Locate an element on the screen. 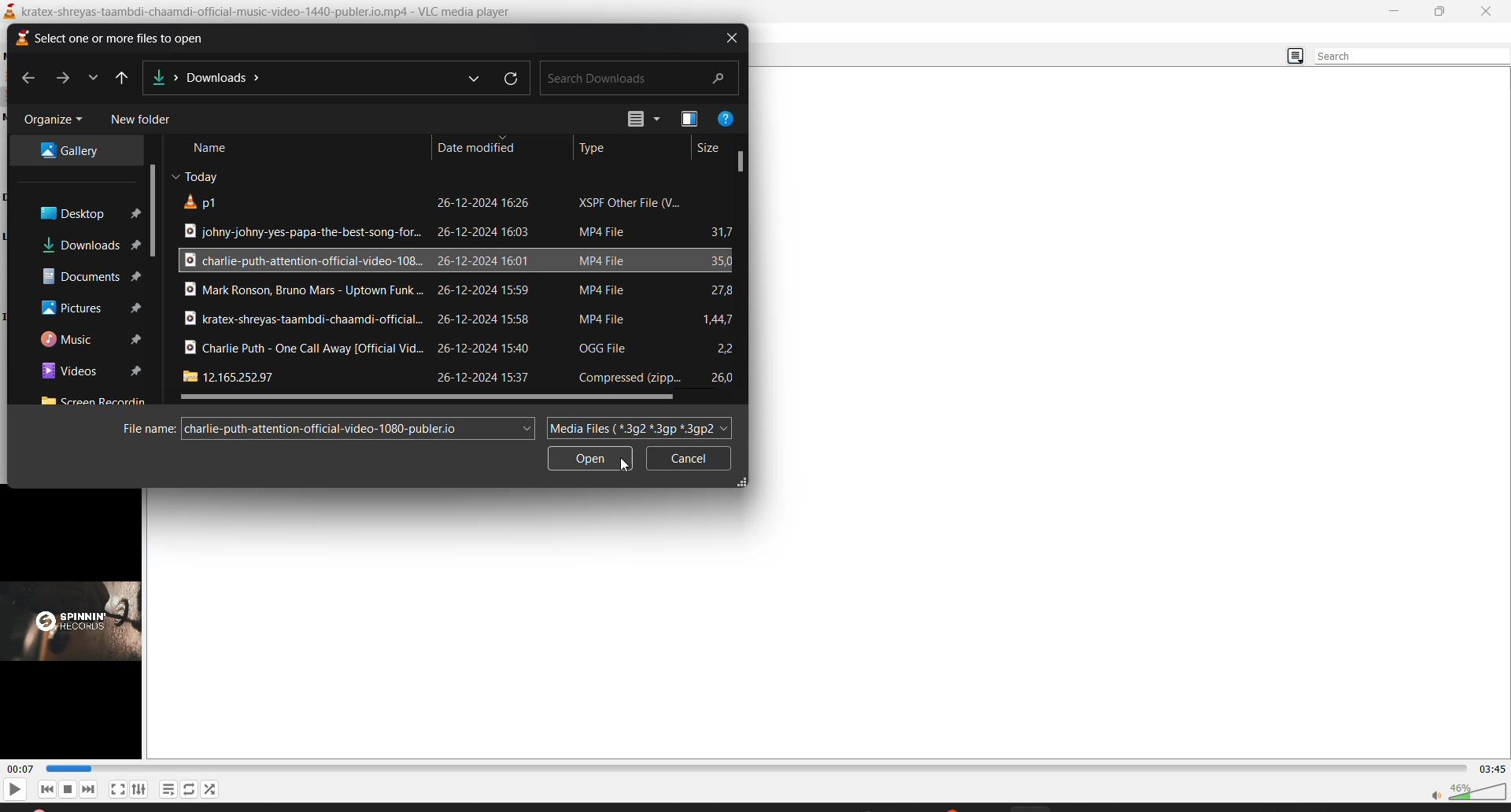 This screenshot has width=1511, height=812. file type is located at coordinates (623, 377).